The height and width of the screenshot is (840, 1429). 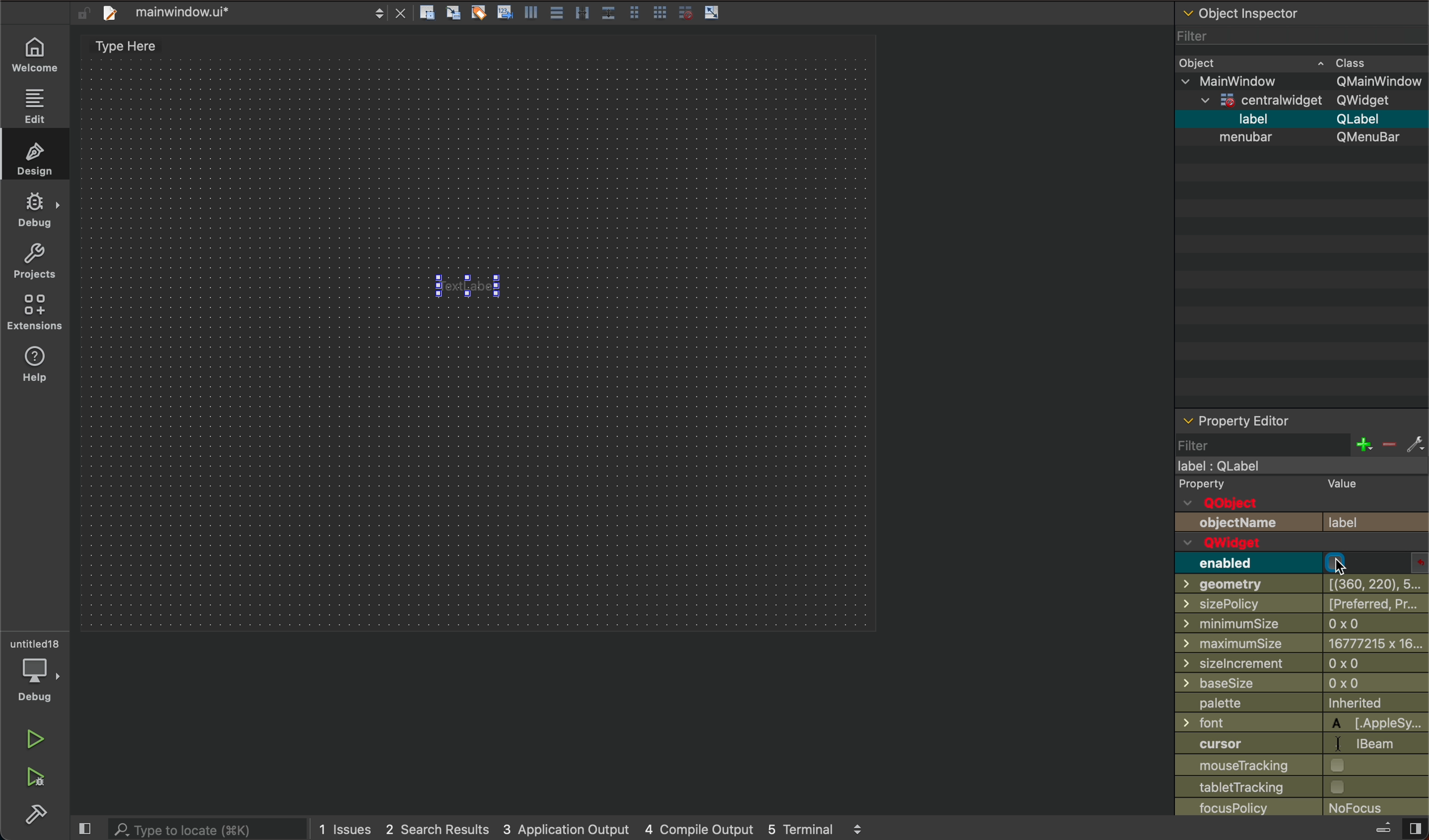 I want to click on QWwidget, so click(x=1255, y=544).